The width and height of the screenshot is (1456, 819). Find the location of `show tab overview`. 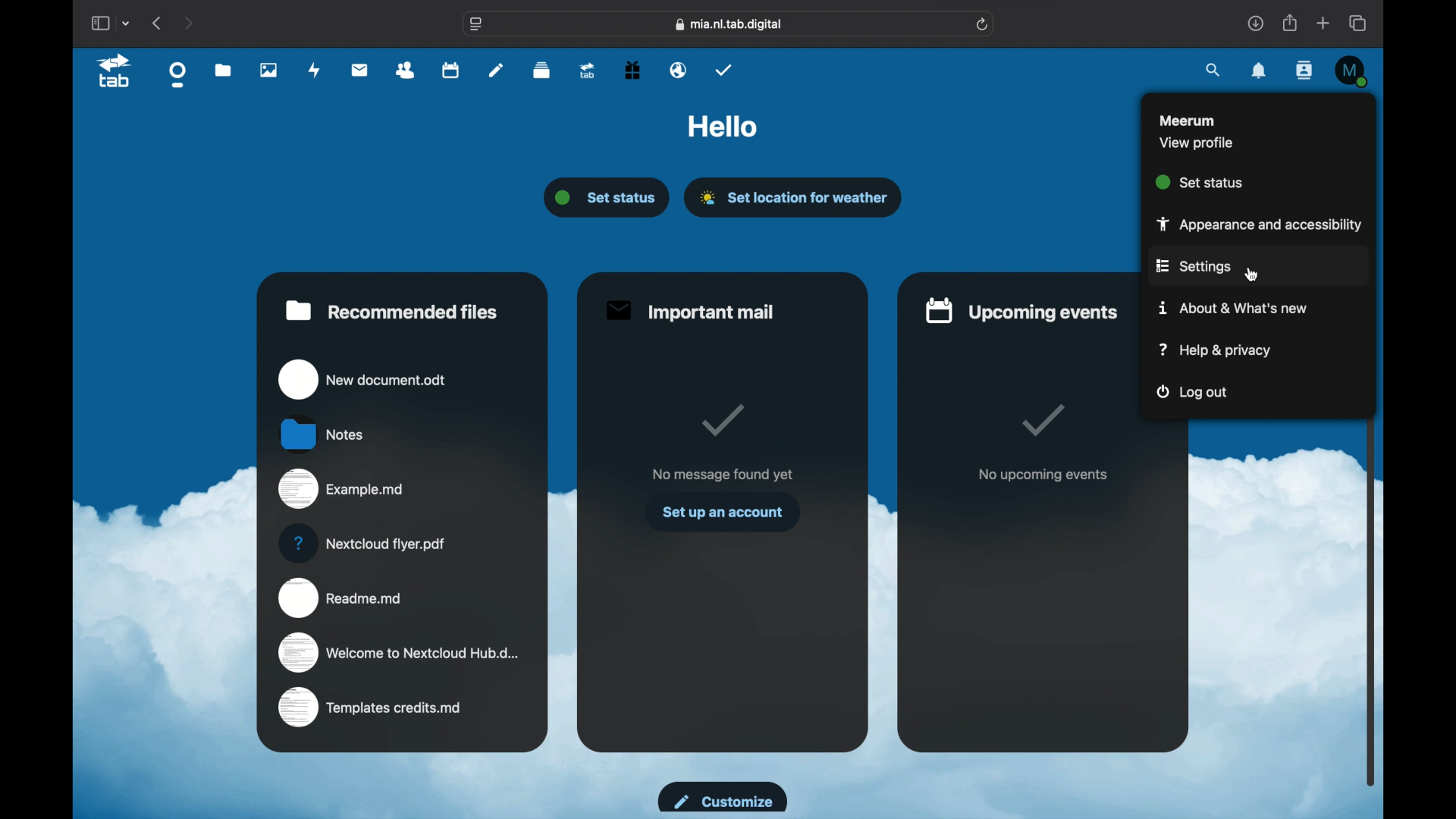

show tab overview is located at coordinates (1359, 23).